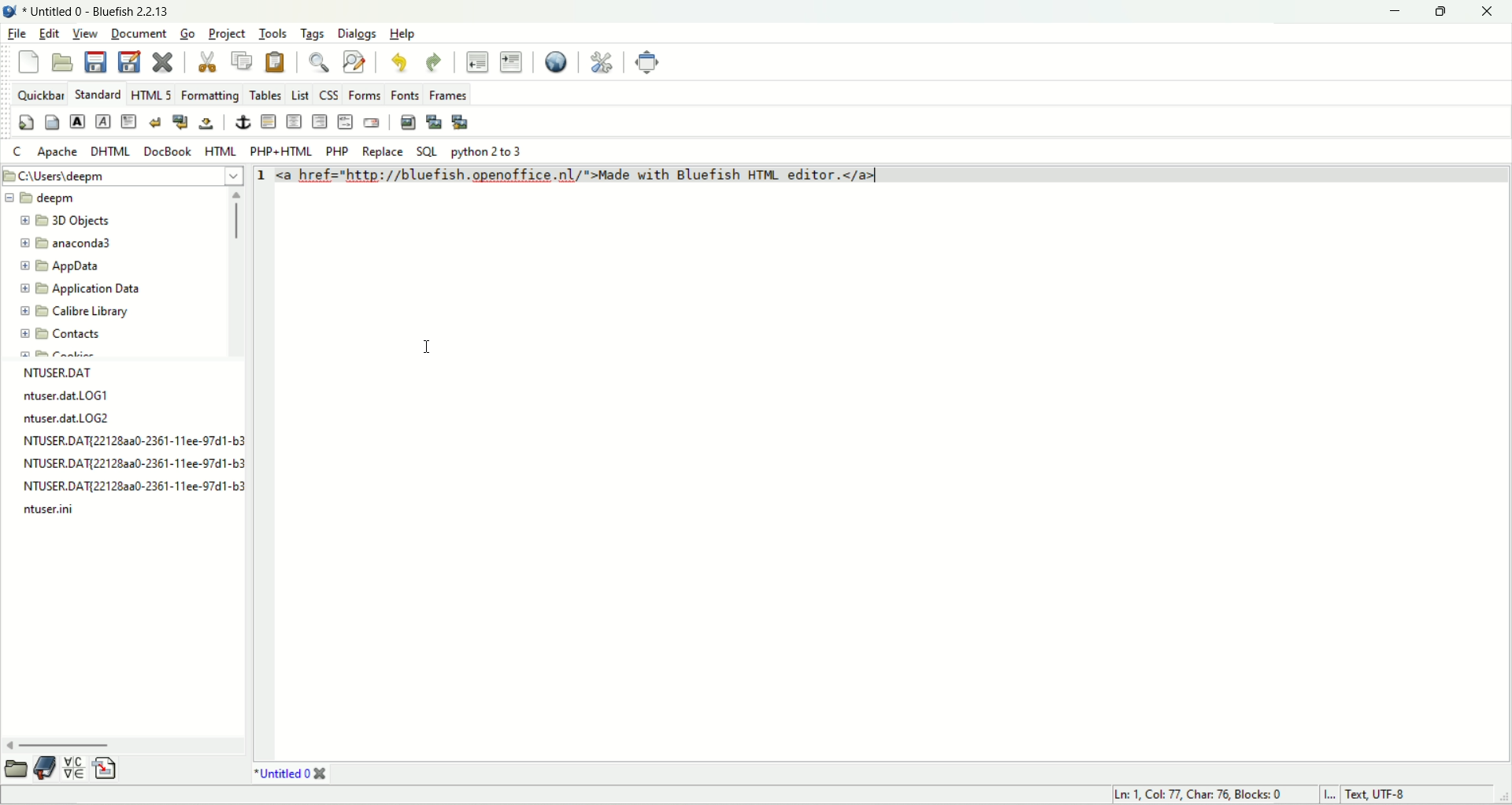  I want to click on file, so click(18, 35).